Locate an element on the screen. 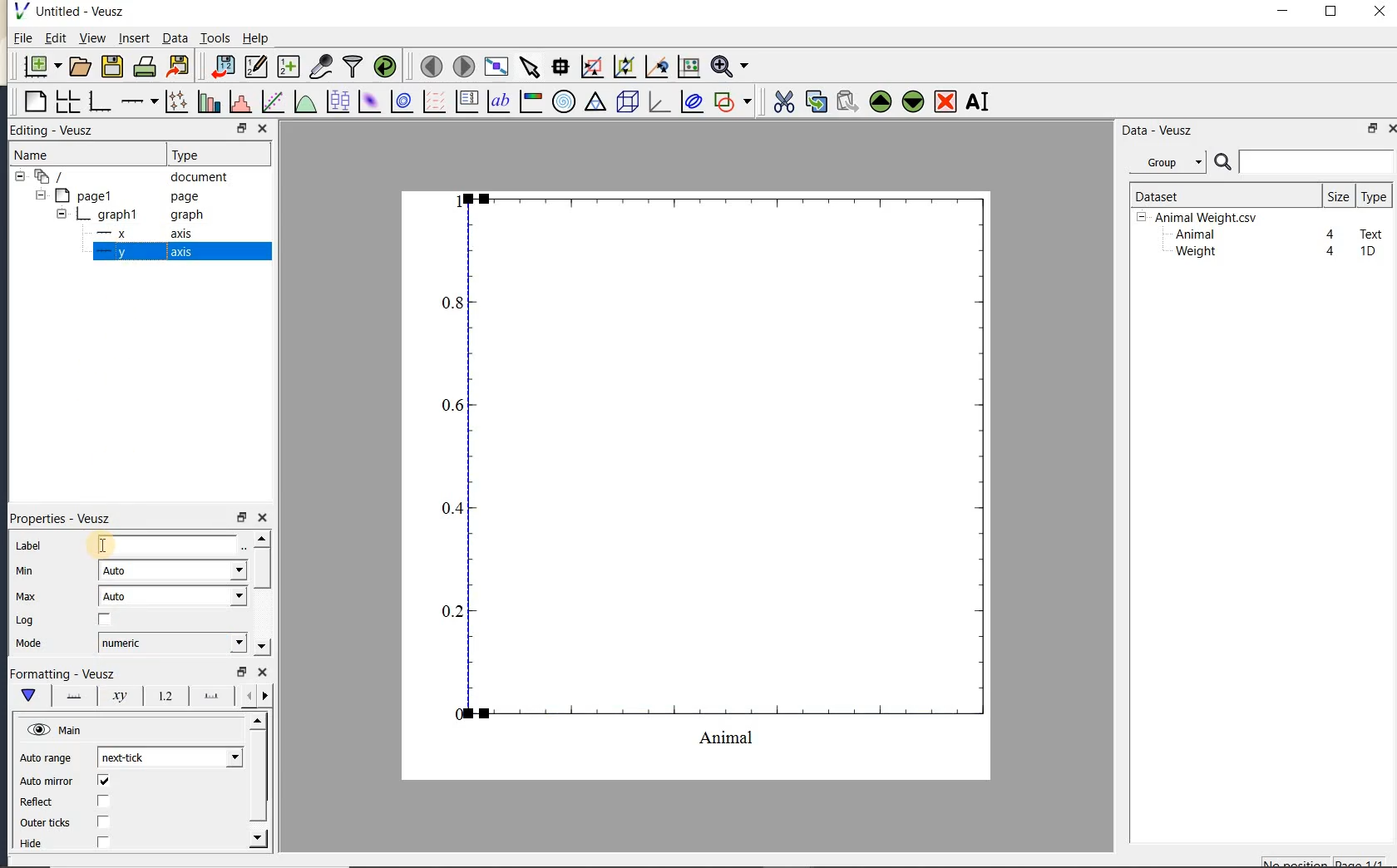 Image resolution: width=1397 pixels, height=868 pixels. move to the next page is located at coordinates (462, 65).